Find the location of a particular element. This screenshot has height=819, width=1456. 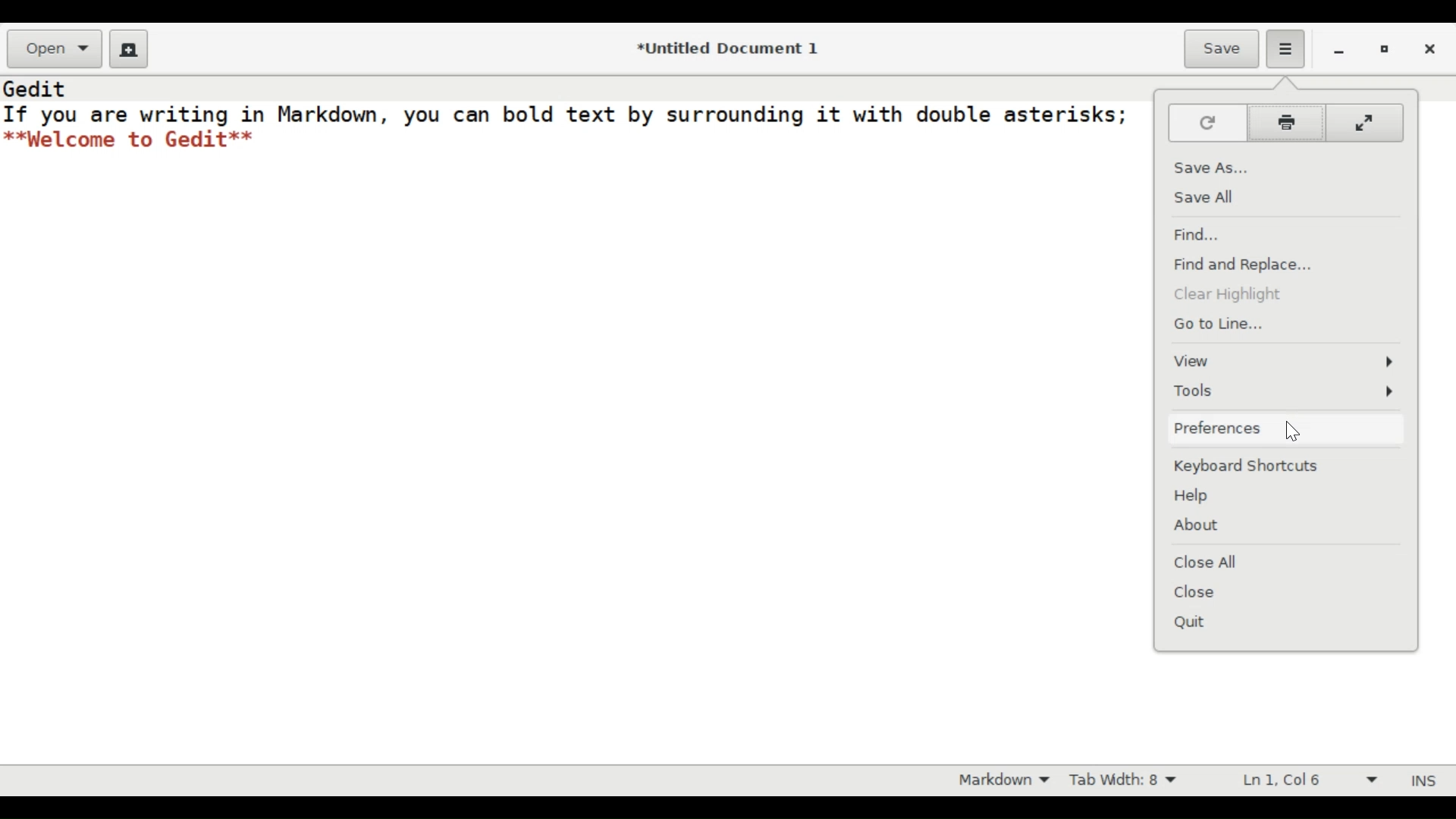

Quit is located at coordinates (1196, 622).